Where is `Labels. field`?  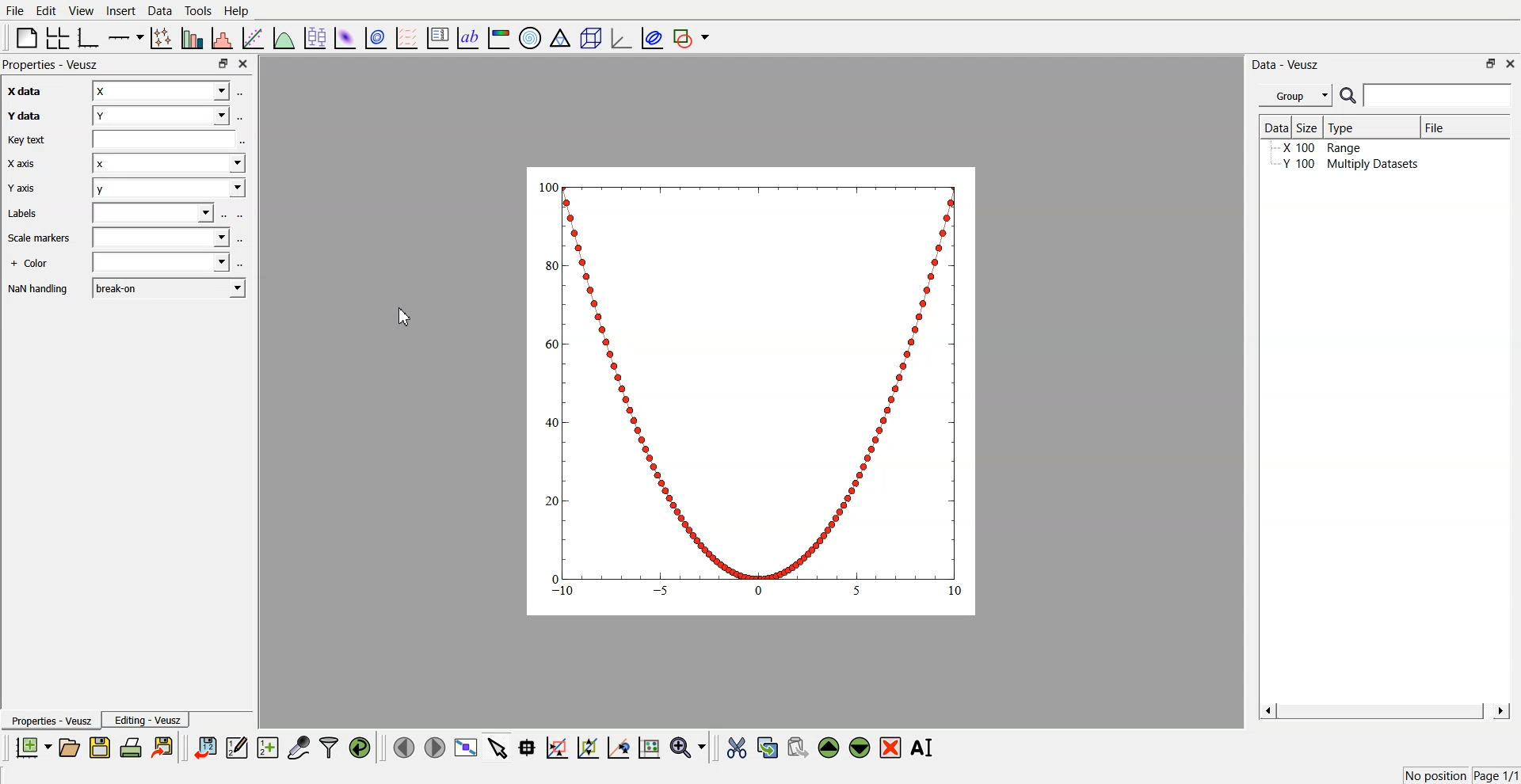
Labels. field is located at coordinates (152, 212).